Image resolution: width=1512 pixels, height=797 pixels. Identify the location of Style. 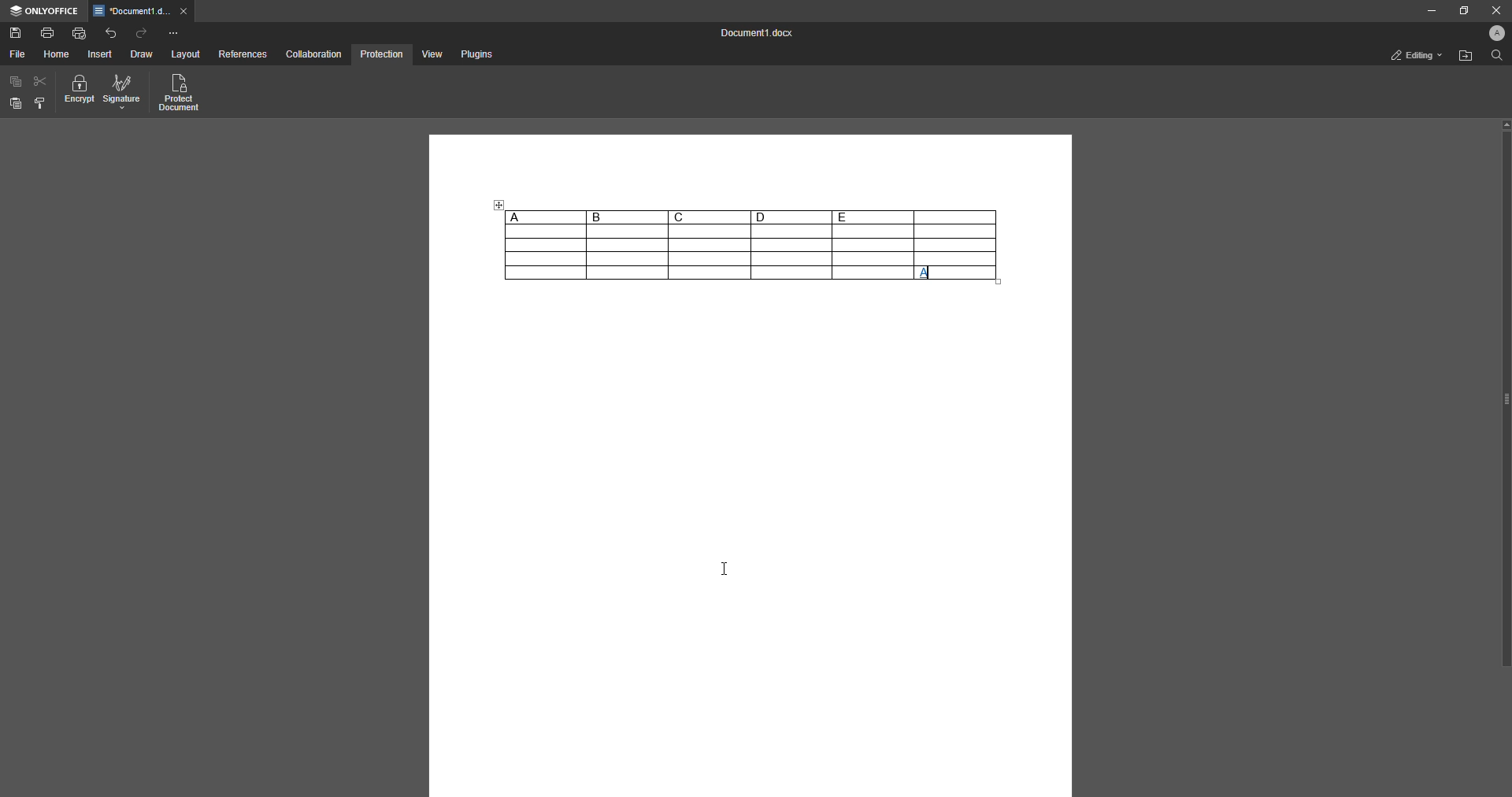
(41, 103).